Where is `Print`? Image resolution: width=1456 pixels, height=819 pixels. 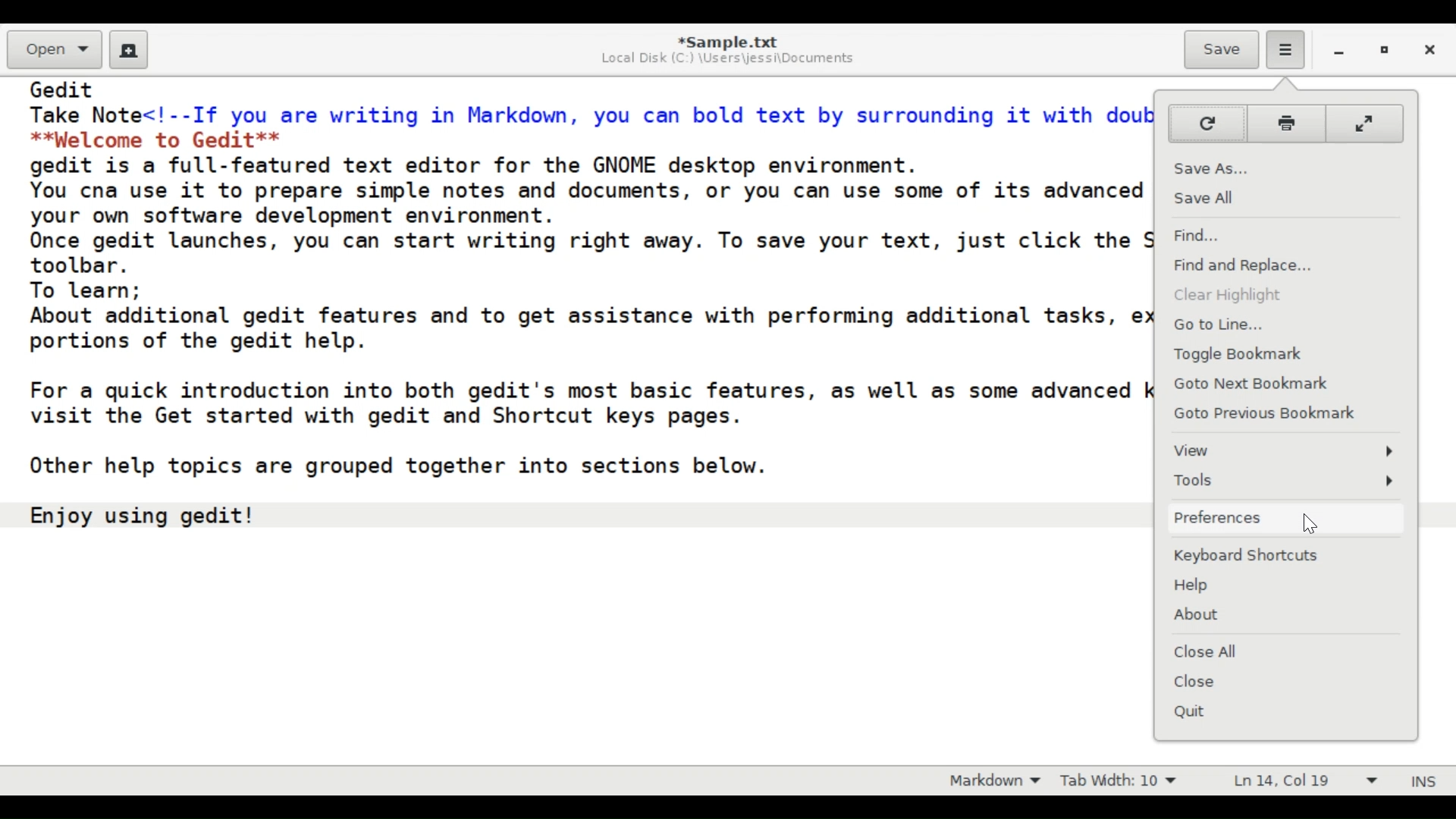
Print is located at coordinates (1285, 124).